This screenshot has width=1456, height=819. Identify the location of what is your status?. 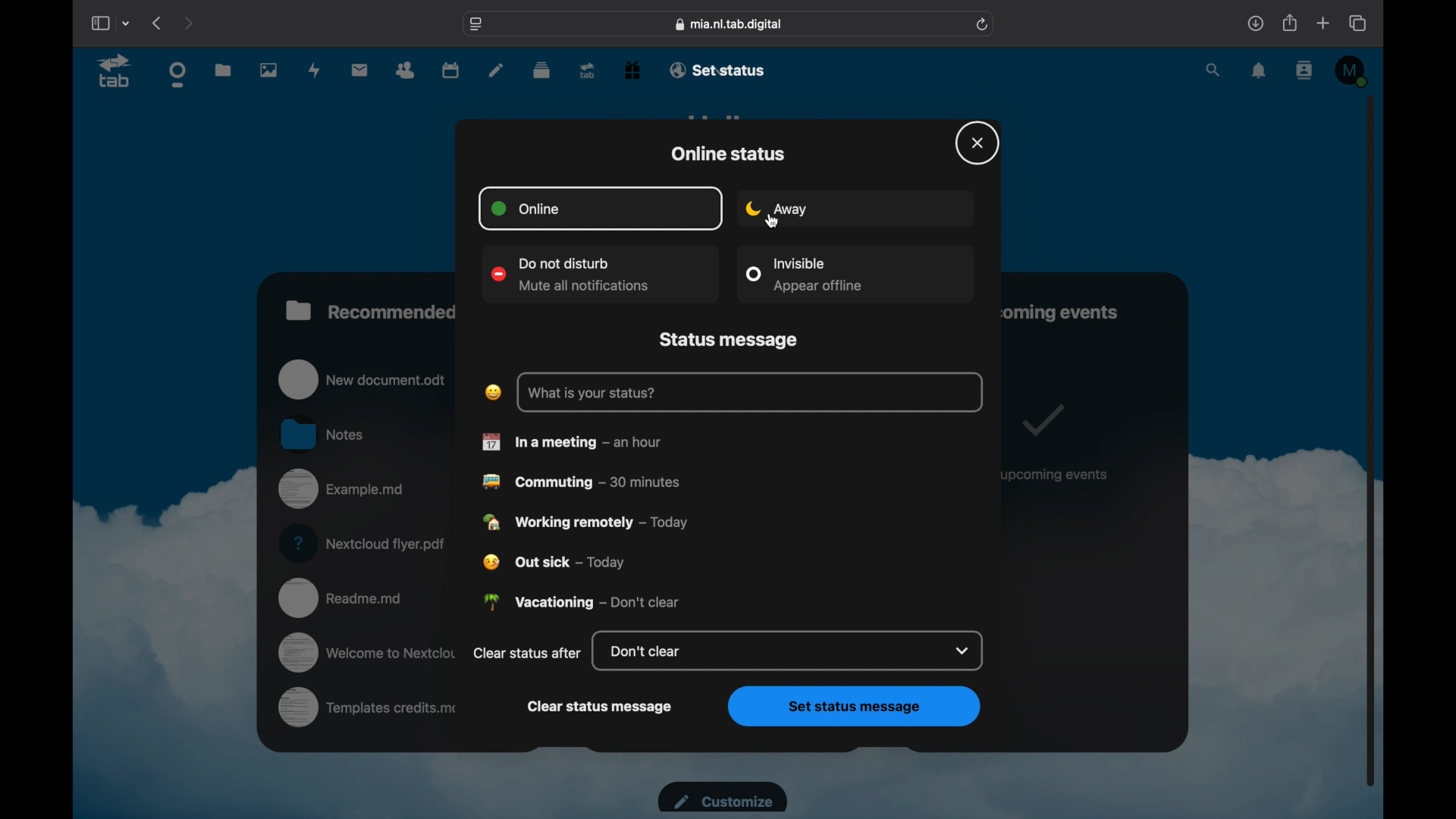
(592, 394).